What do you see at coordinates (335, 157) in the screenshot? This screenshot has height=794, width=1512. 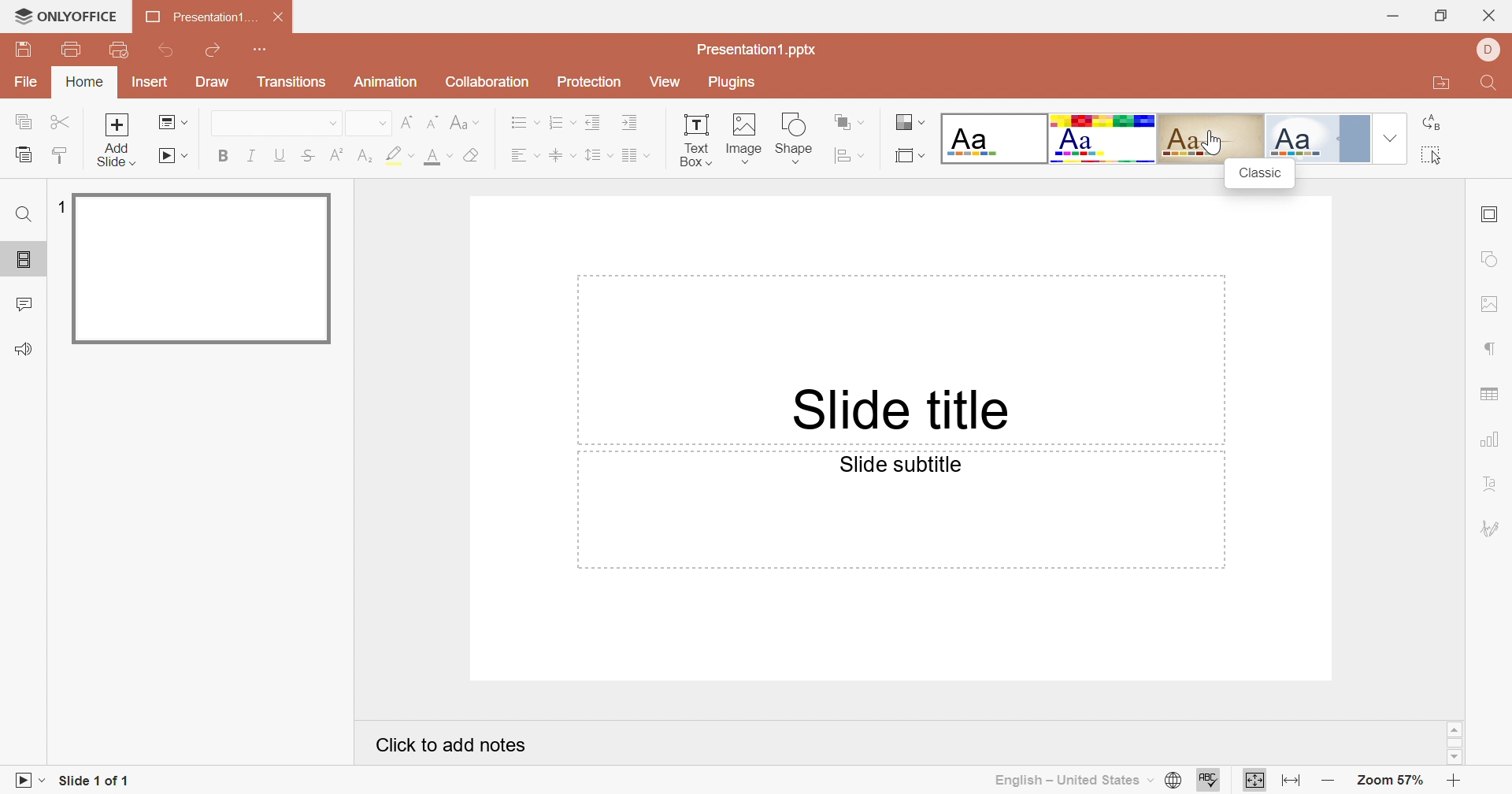 I see `Superscript` at bounding box center [335, 157].